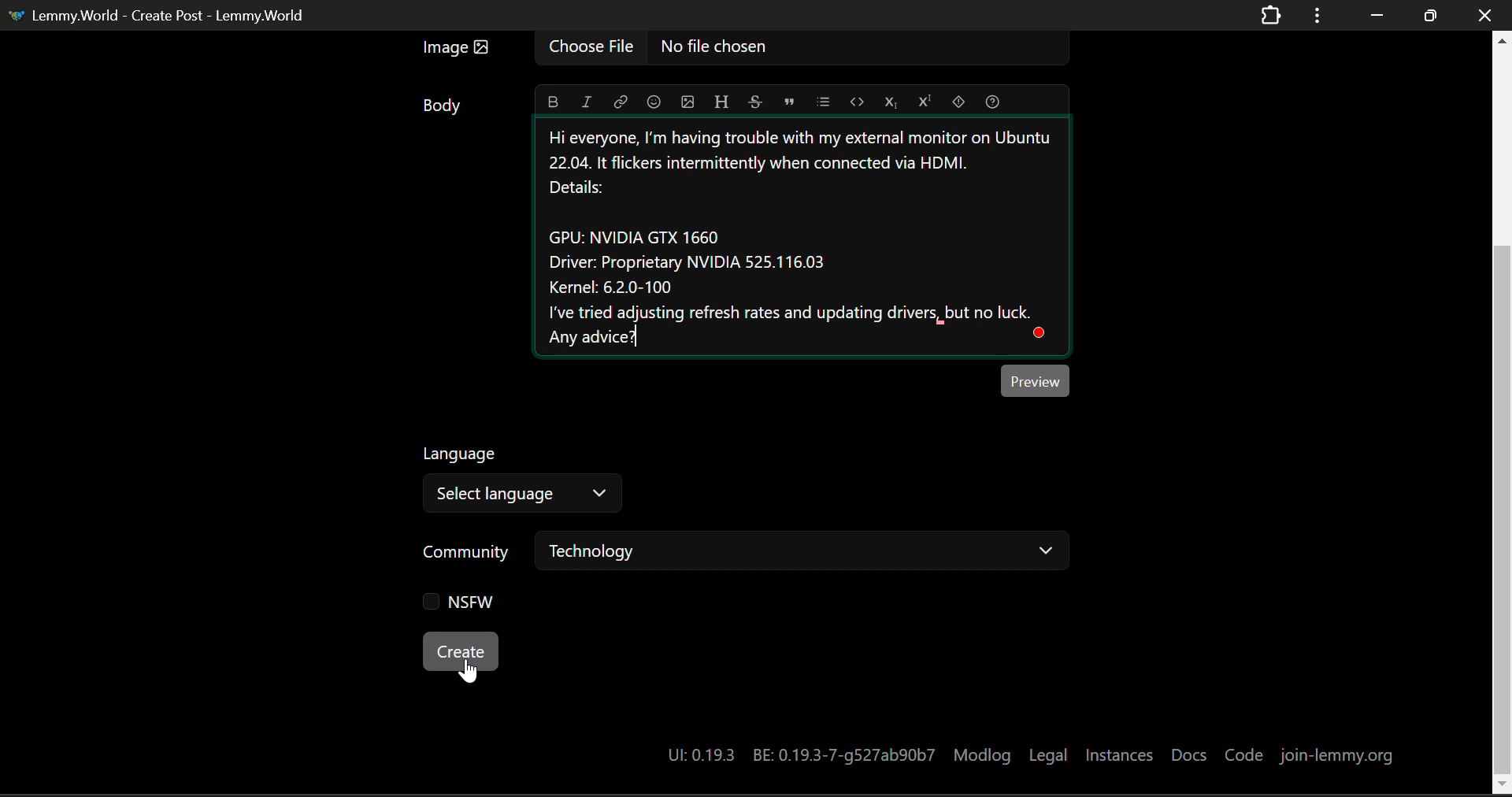 The width and height of the screenshot is (1512, 797). I want to click on Header, so click(720, 99).